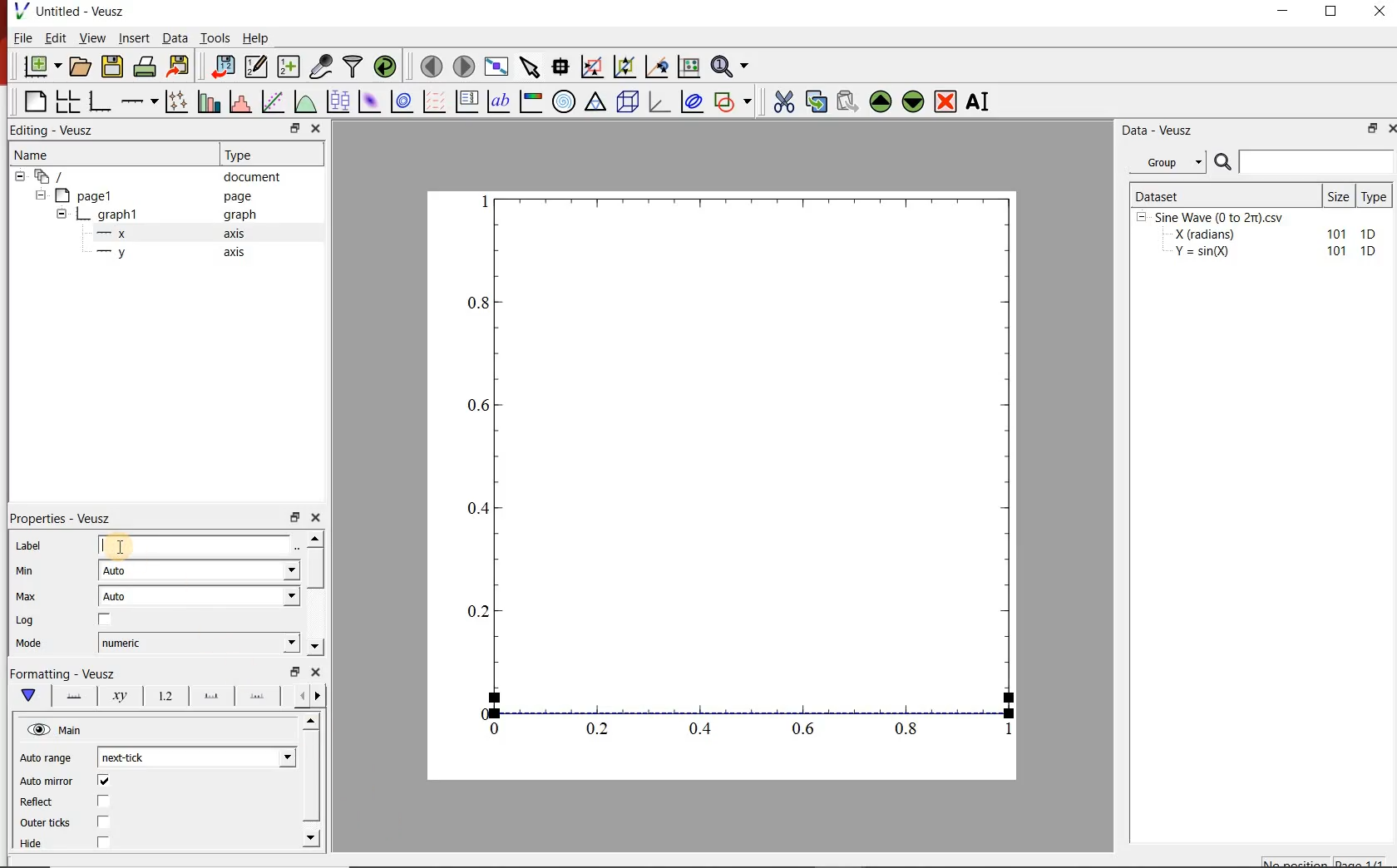  I want to click on Editing - Veusz, so click(55, 131).